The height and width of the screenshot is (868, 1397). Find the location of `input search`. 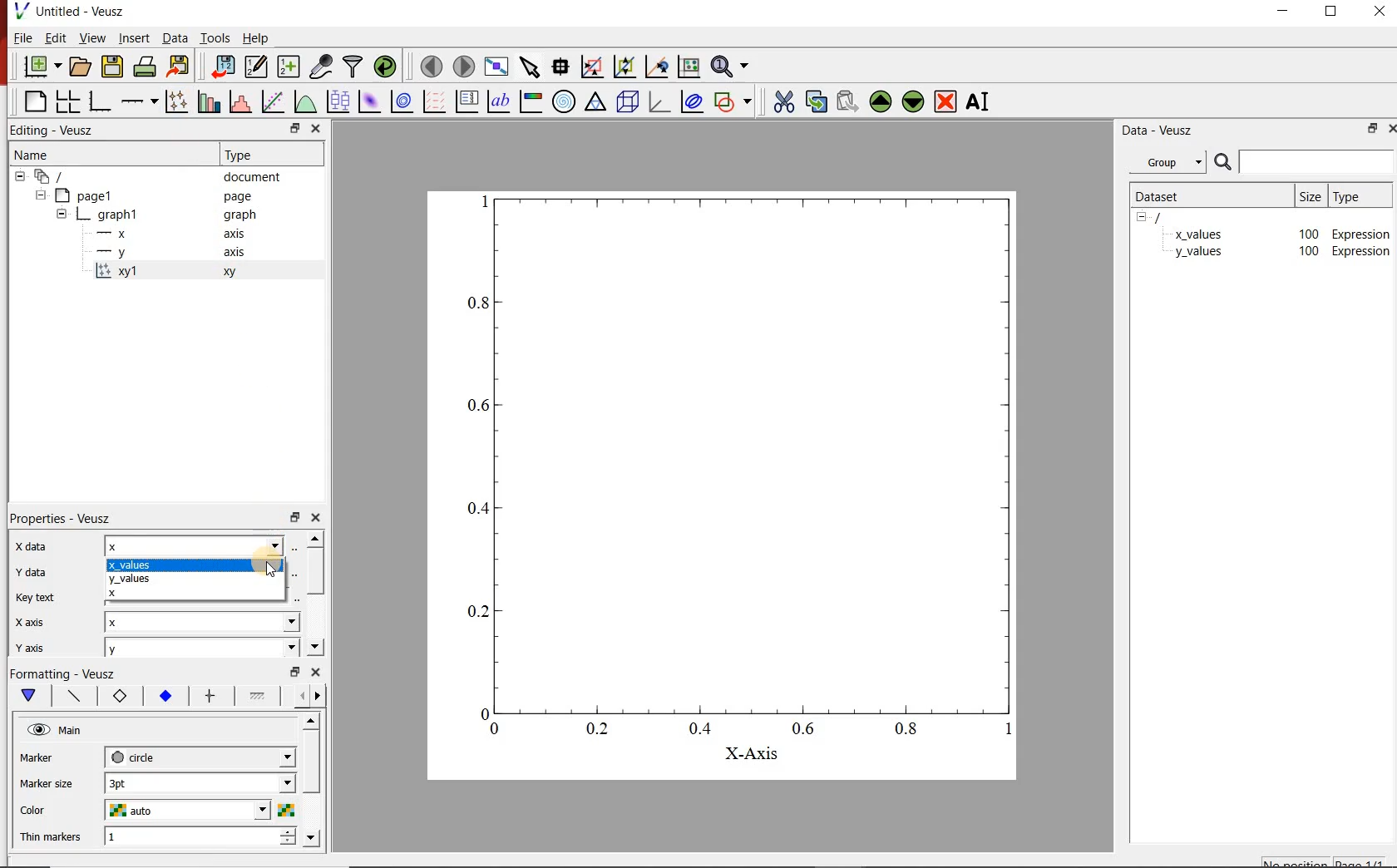

input search is located at coordinates (1316, 161).